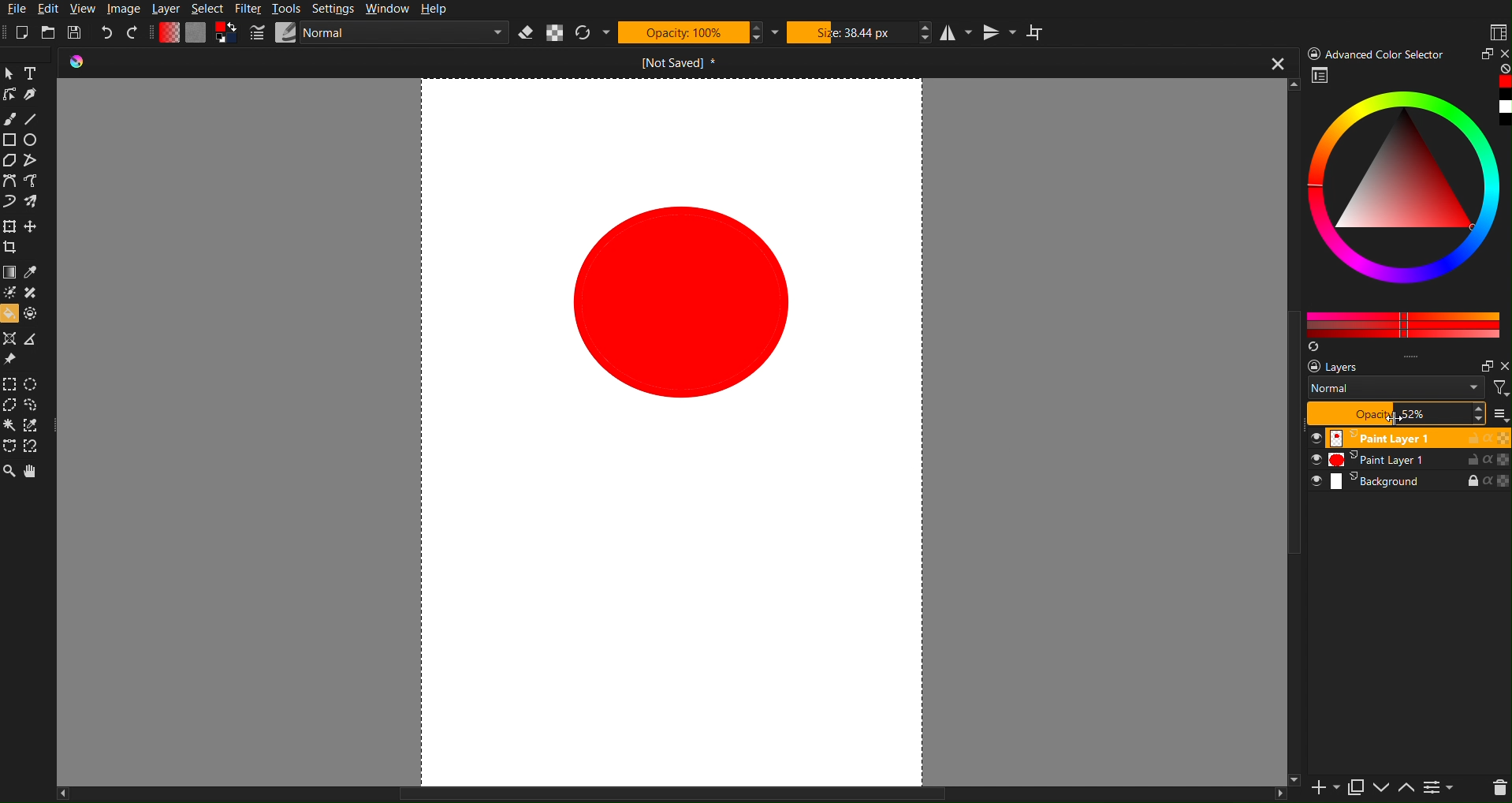 The height and width of the screenshot is (803, 1512). Describe the element at coordinates (9, 314) in the screenshot. I see `Bucket fill` at that location.